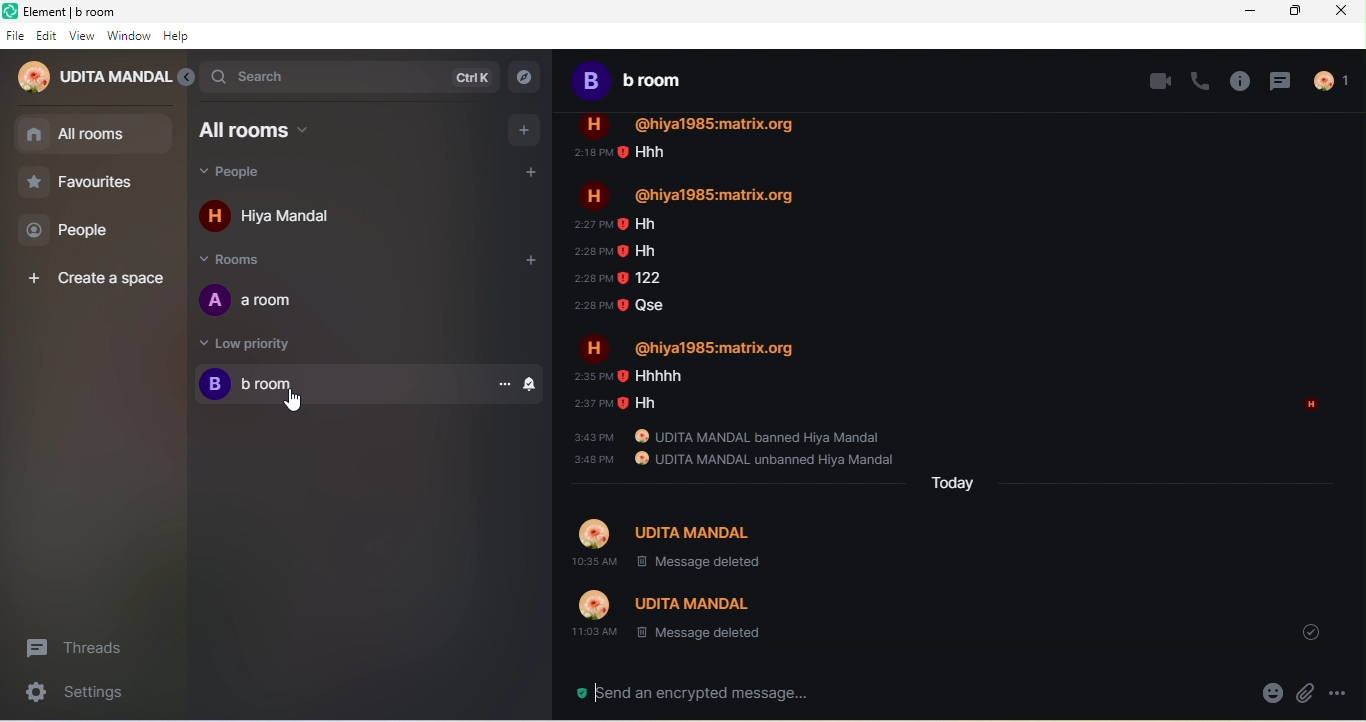 The image size is (1366, 722). I want to click on file, so click(15, 37).